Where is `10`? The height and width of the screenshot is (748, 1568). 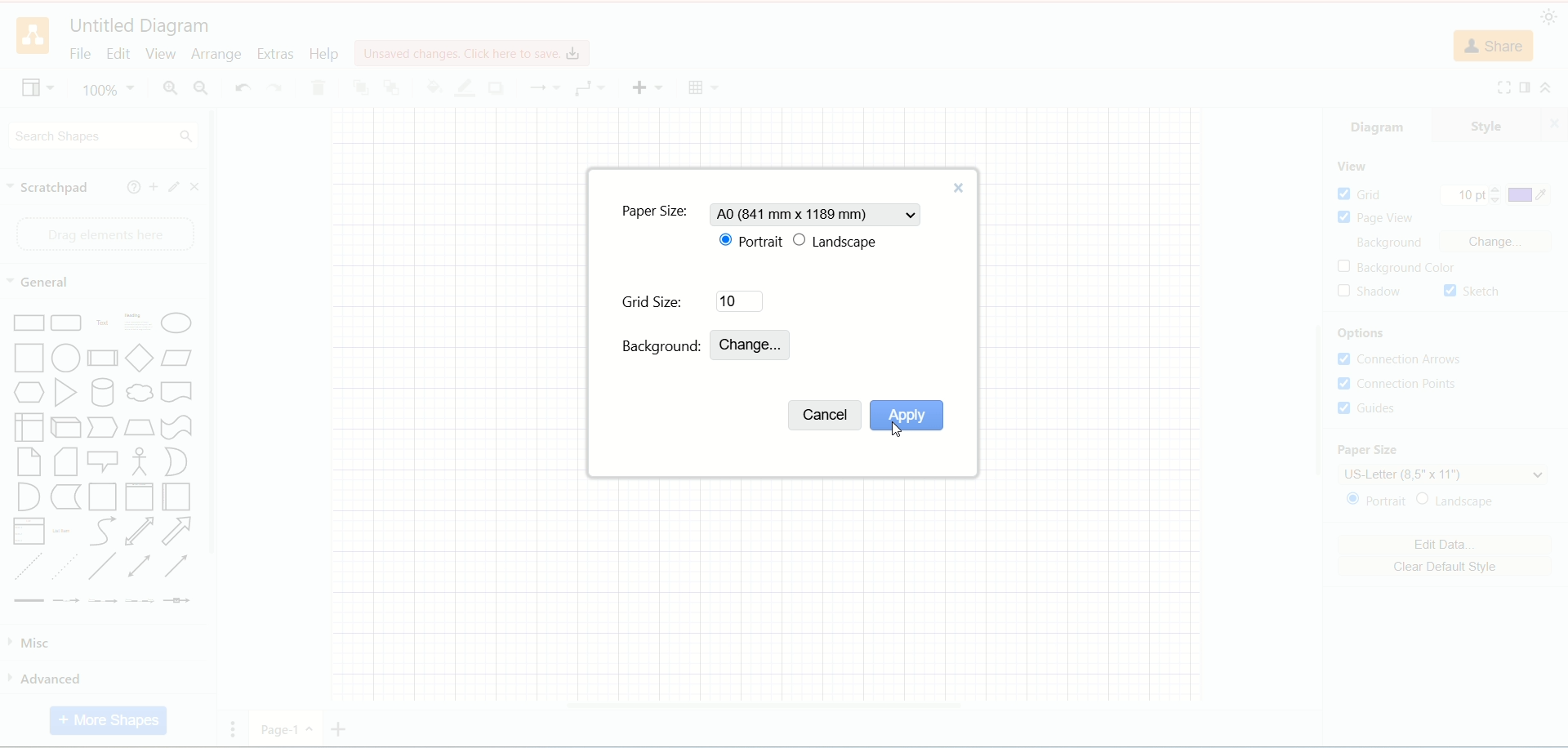
10 is located at coordinates (737, 301).